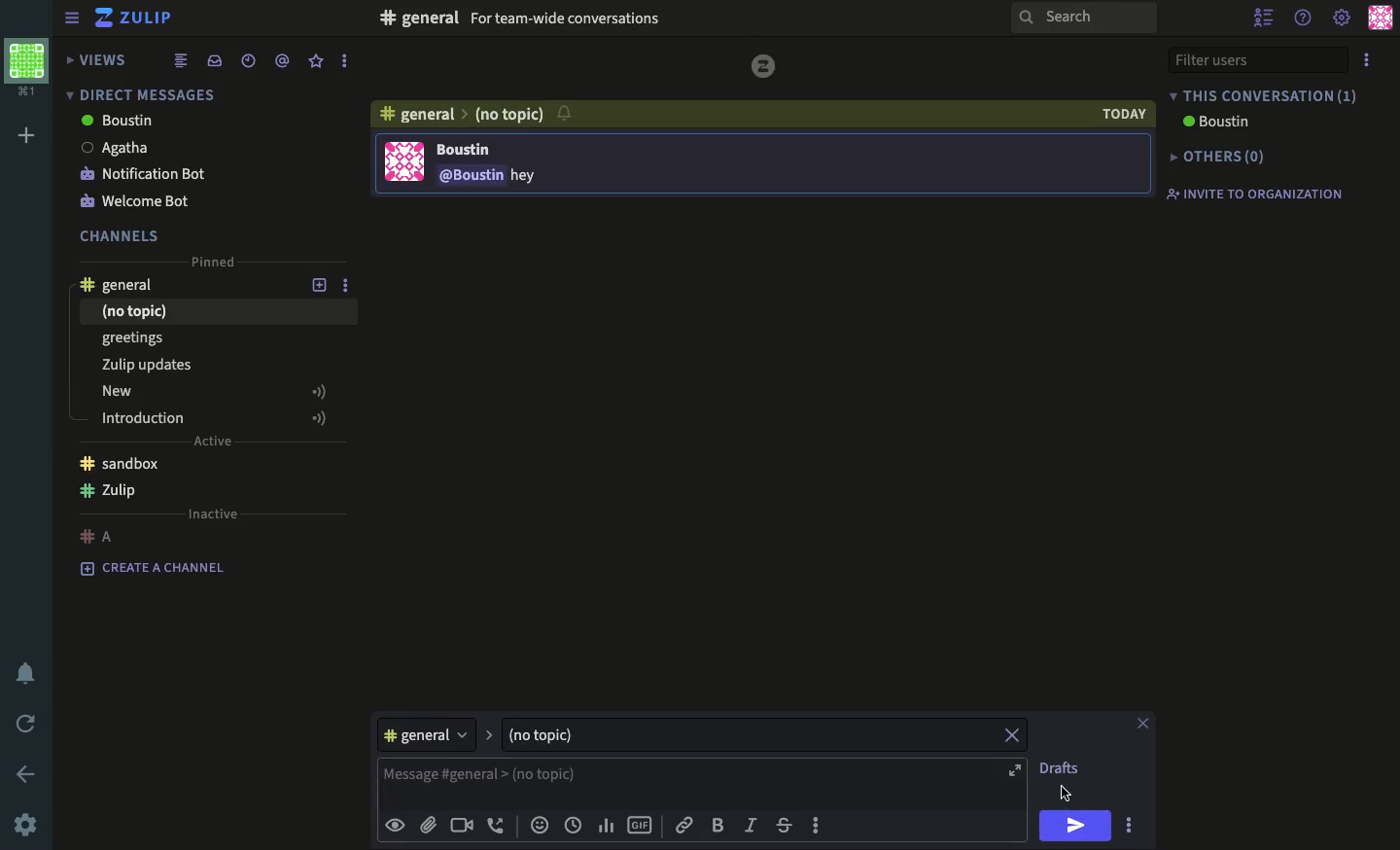 Image resolution: width=1400 pixels, height=850 pixels. I want to click on this conversation (1), so click(1264, 95).